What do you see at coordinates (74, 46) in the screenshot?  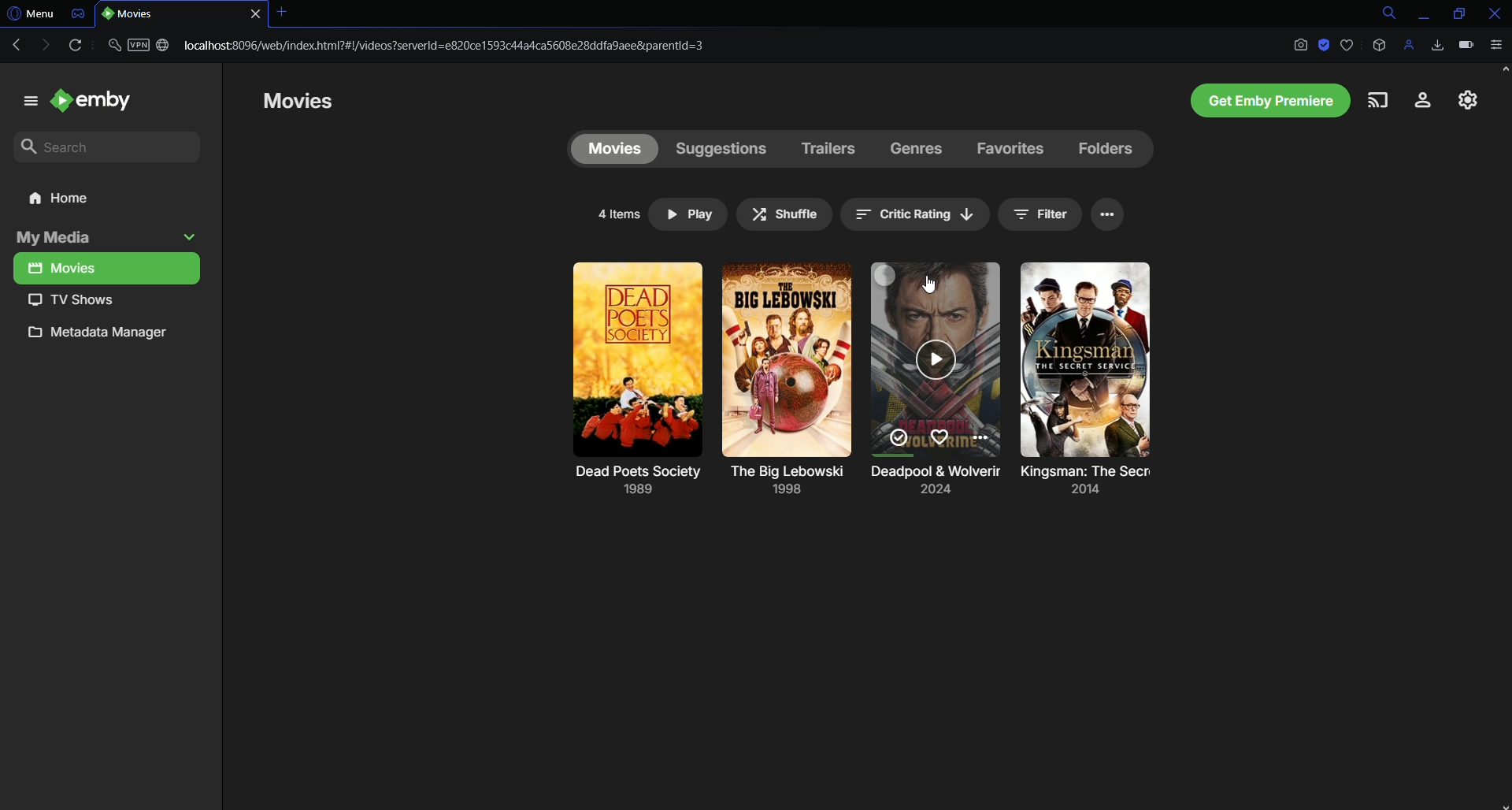 I see `Reload` at bounding box center [74, 46].